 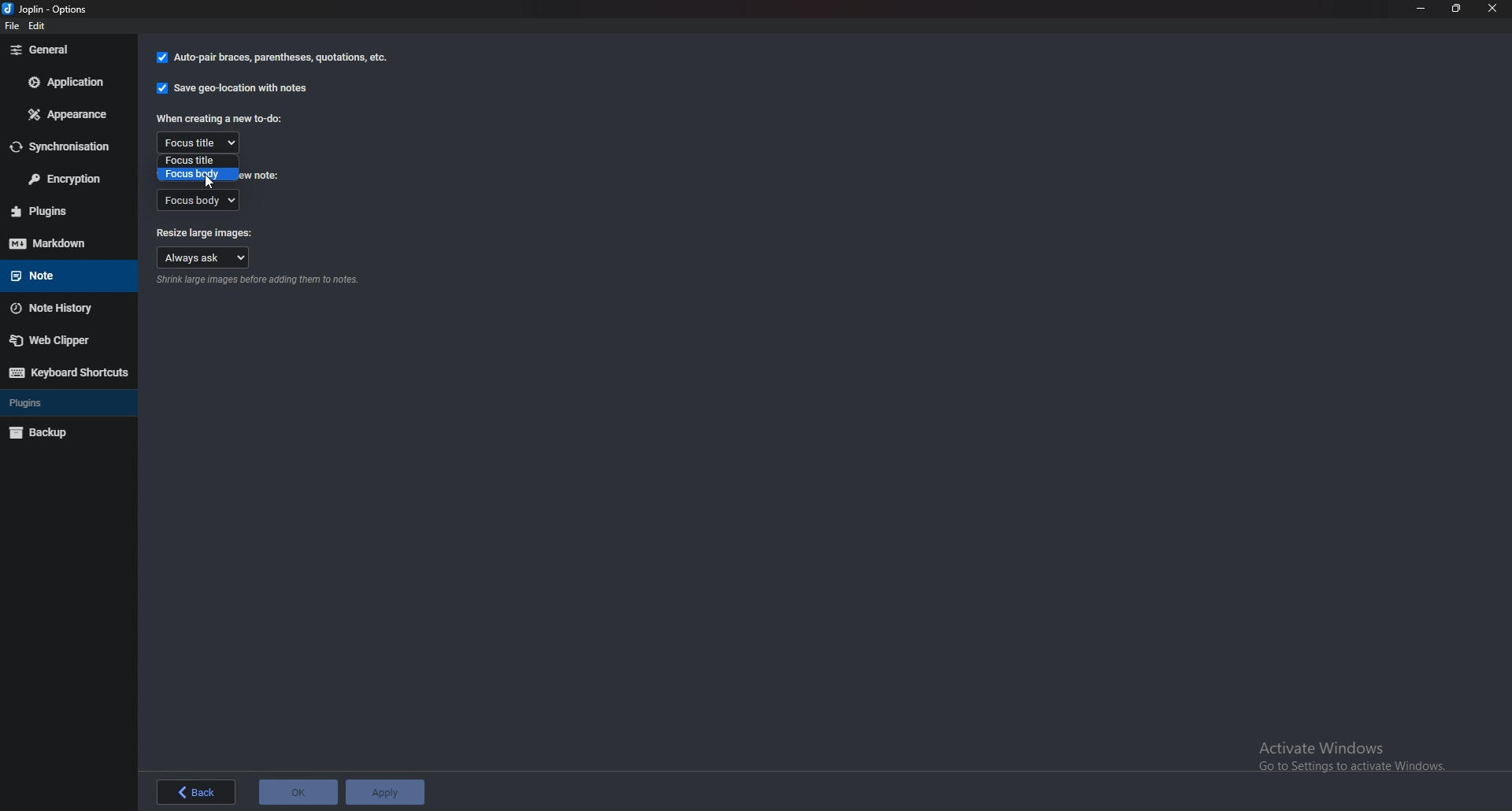 I want to click on Save Geolocation, so click(x=235, y=87).